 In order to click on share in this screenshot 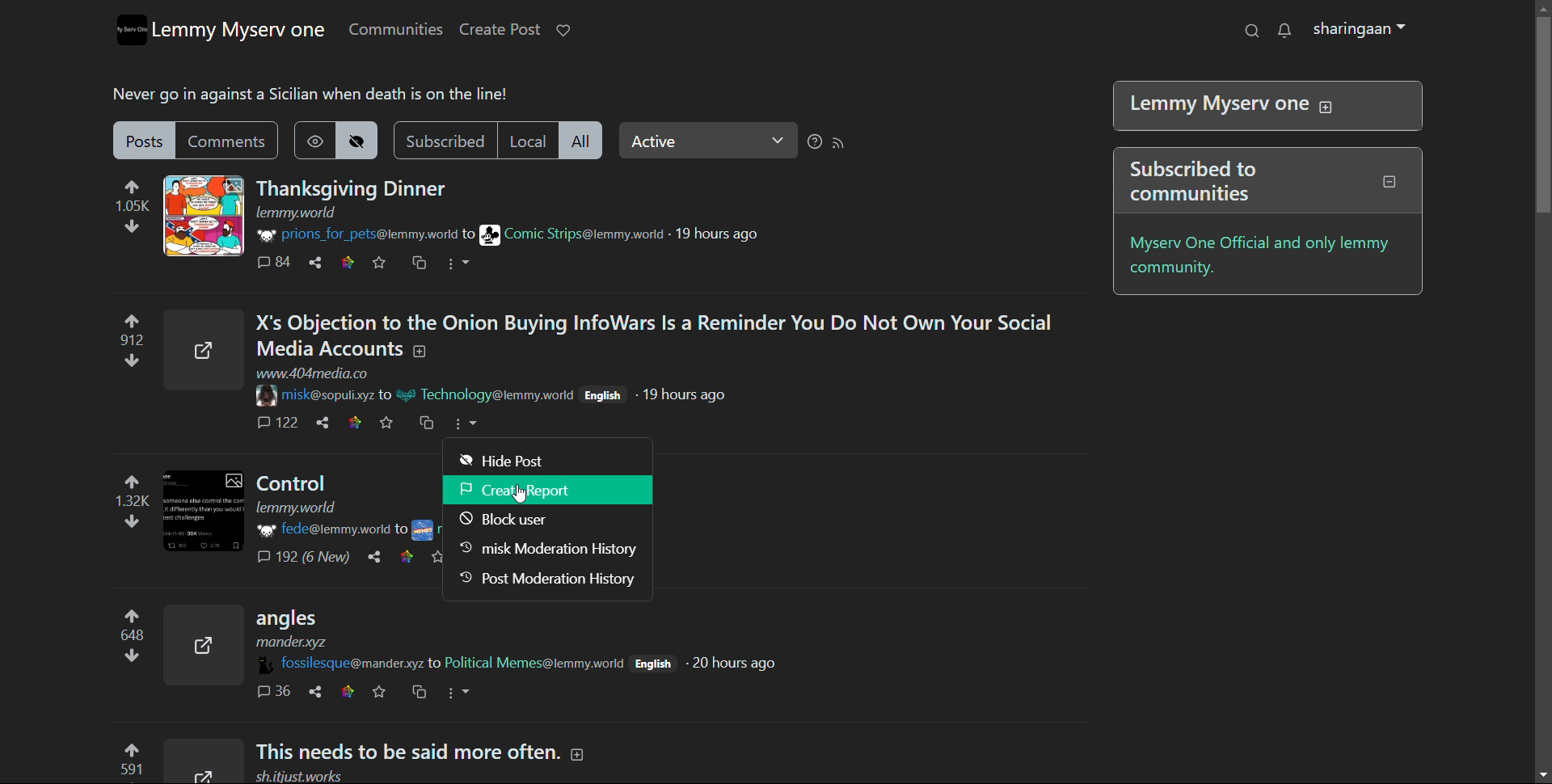, I will do `click(315, 262)`.